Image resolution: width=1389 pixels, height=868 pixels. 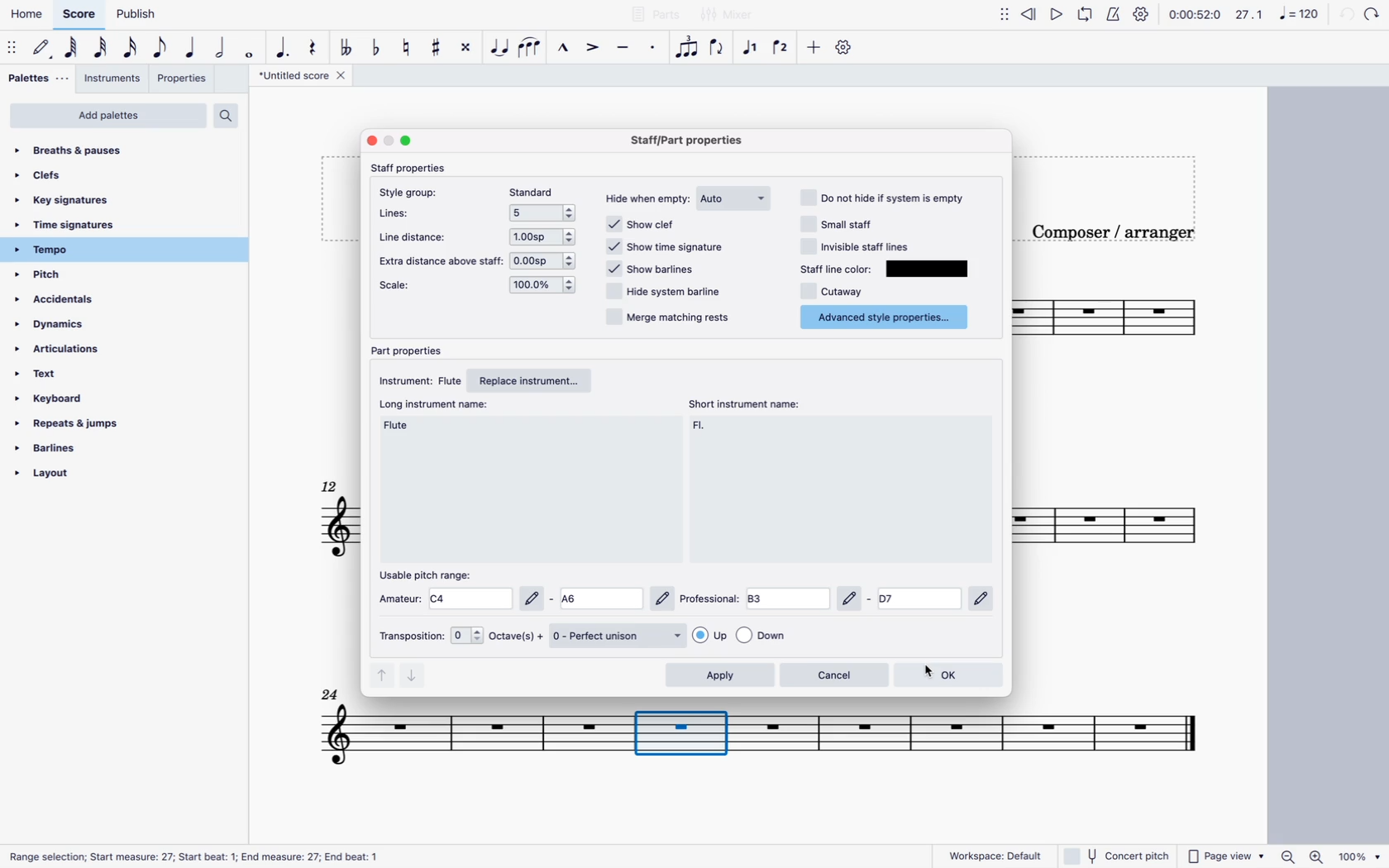 I want to click on hide when empty, so click(x=647, y=199).